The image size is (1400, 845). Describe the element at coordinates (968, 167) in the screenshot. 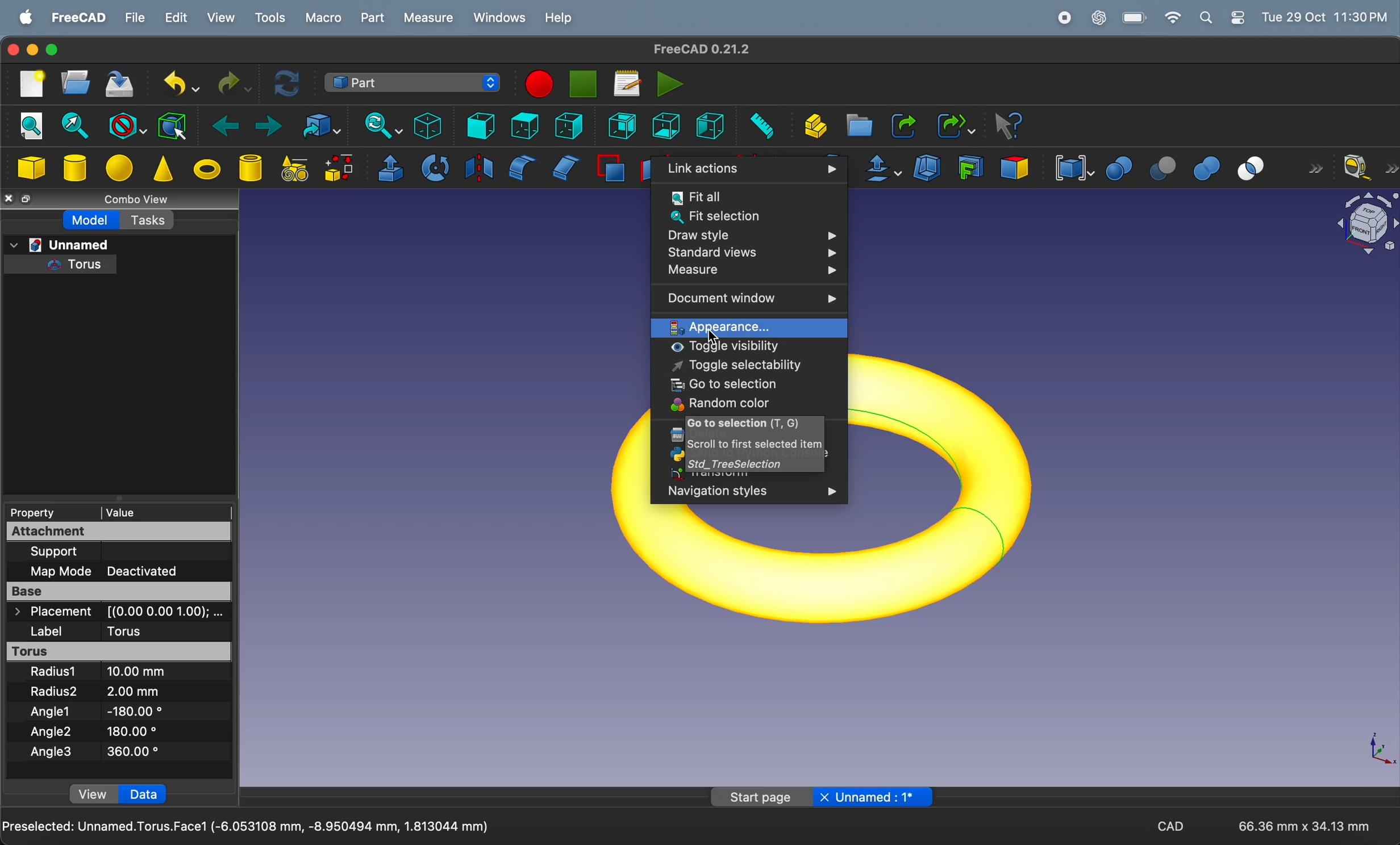

I see `create projection on surface` at that location.